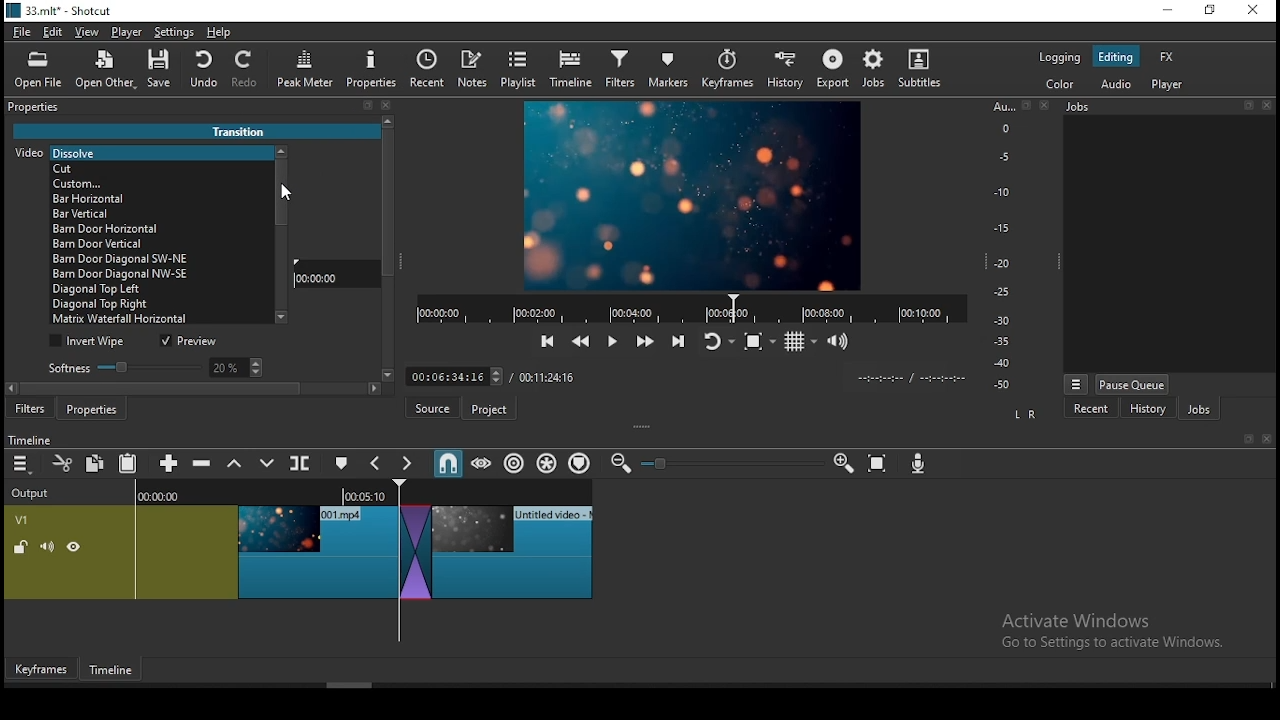 The height and width of the screenshot is (720, 1280). What do you see at coordinates (159, 306) in the screenshot?
I see `transition option` at bounding box center [159, 306].